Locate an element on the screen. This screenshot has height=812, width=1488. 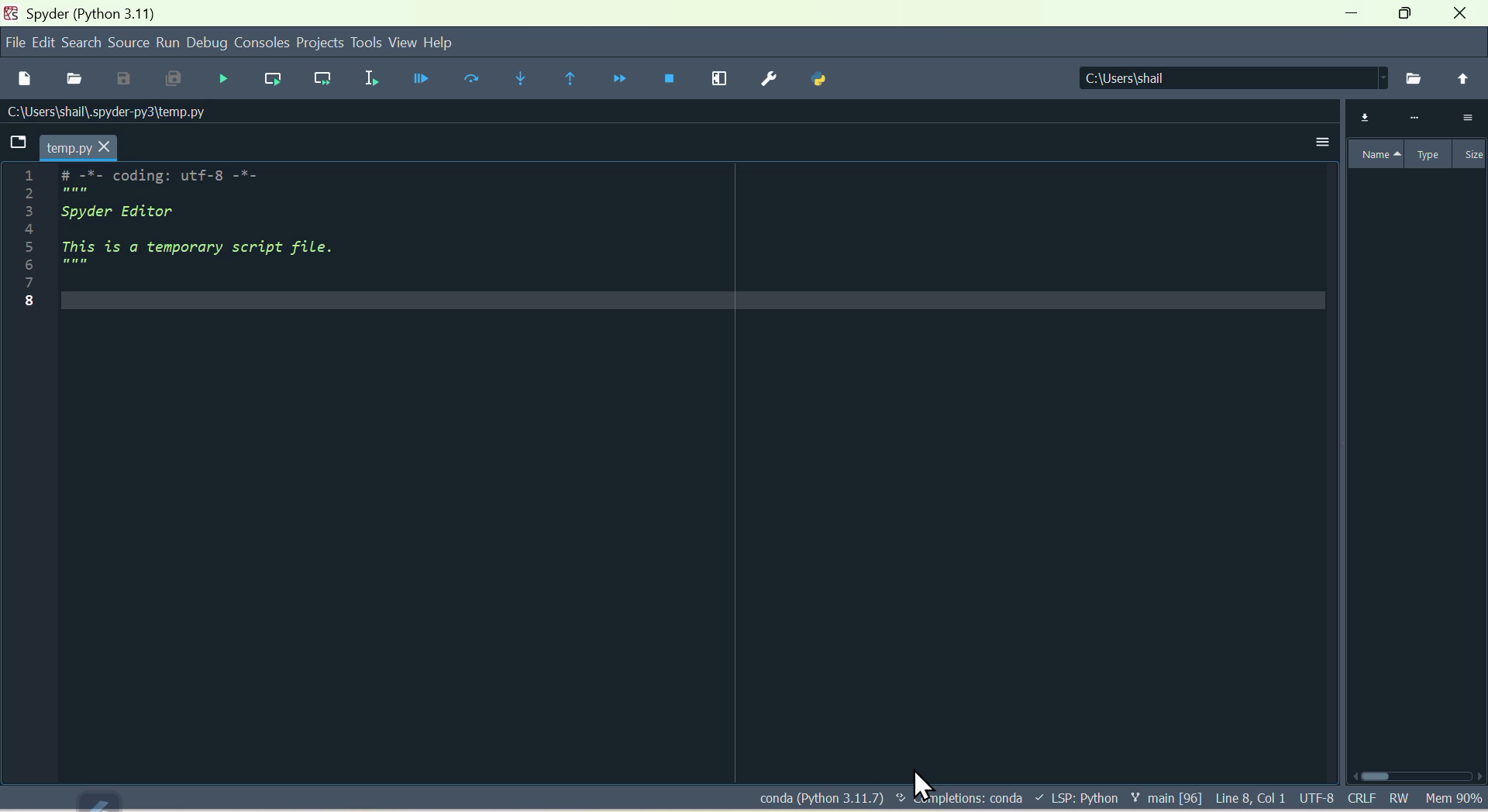
temp.py is located at coordinates (67, 147).